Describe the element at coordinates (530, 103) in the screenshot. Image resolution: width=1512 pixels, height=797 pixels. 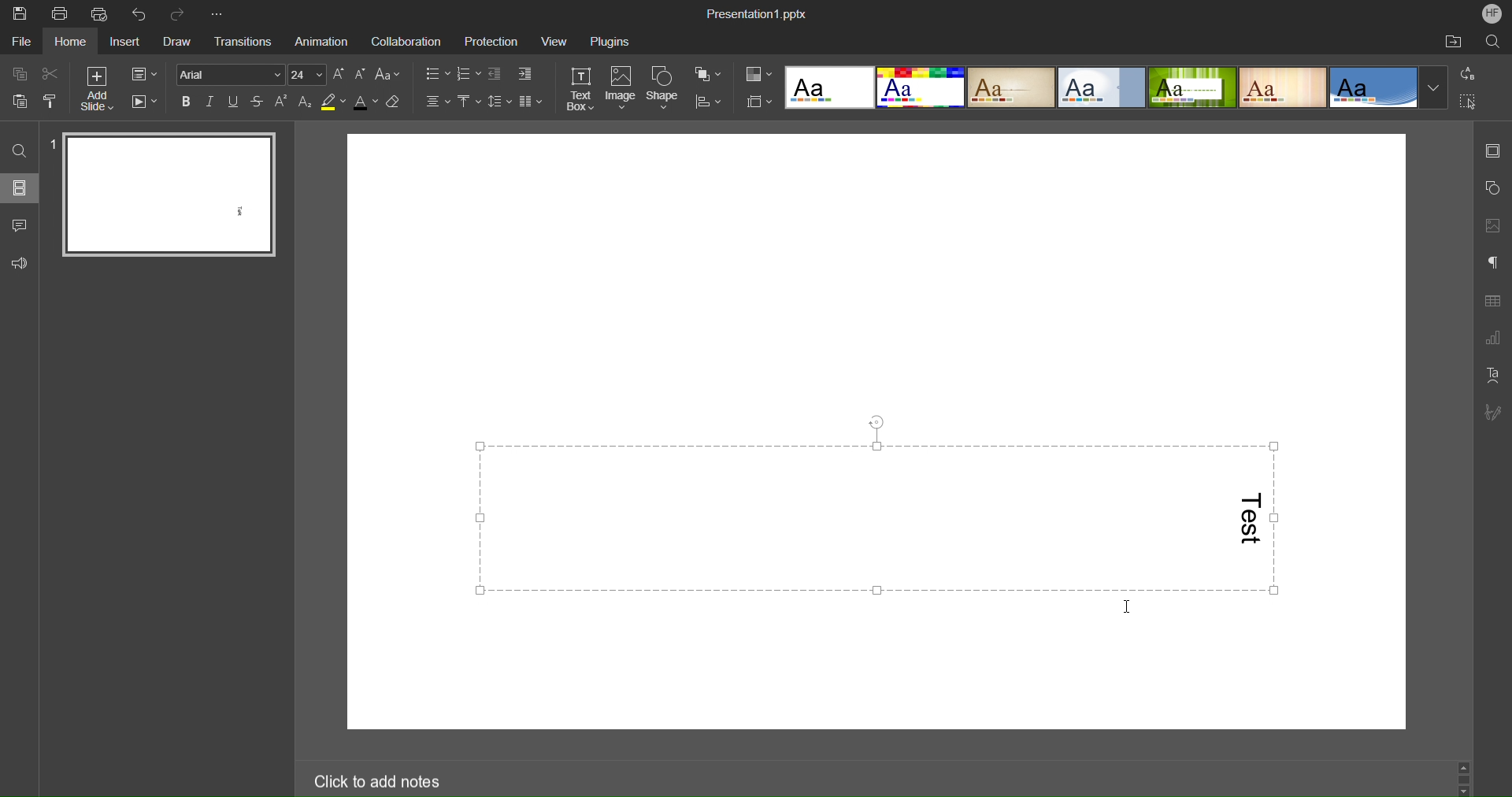
I see `Columns` at that location.